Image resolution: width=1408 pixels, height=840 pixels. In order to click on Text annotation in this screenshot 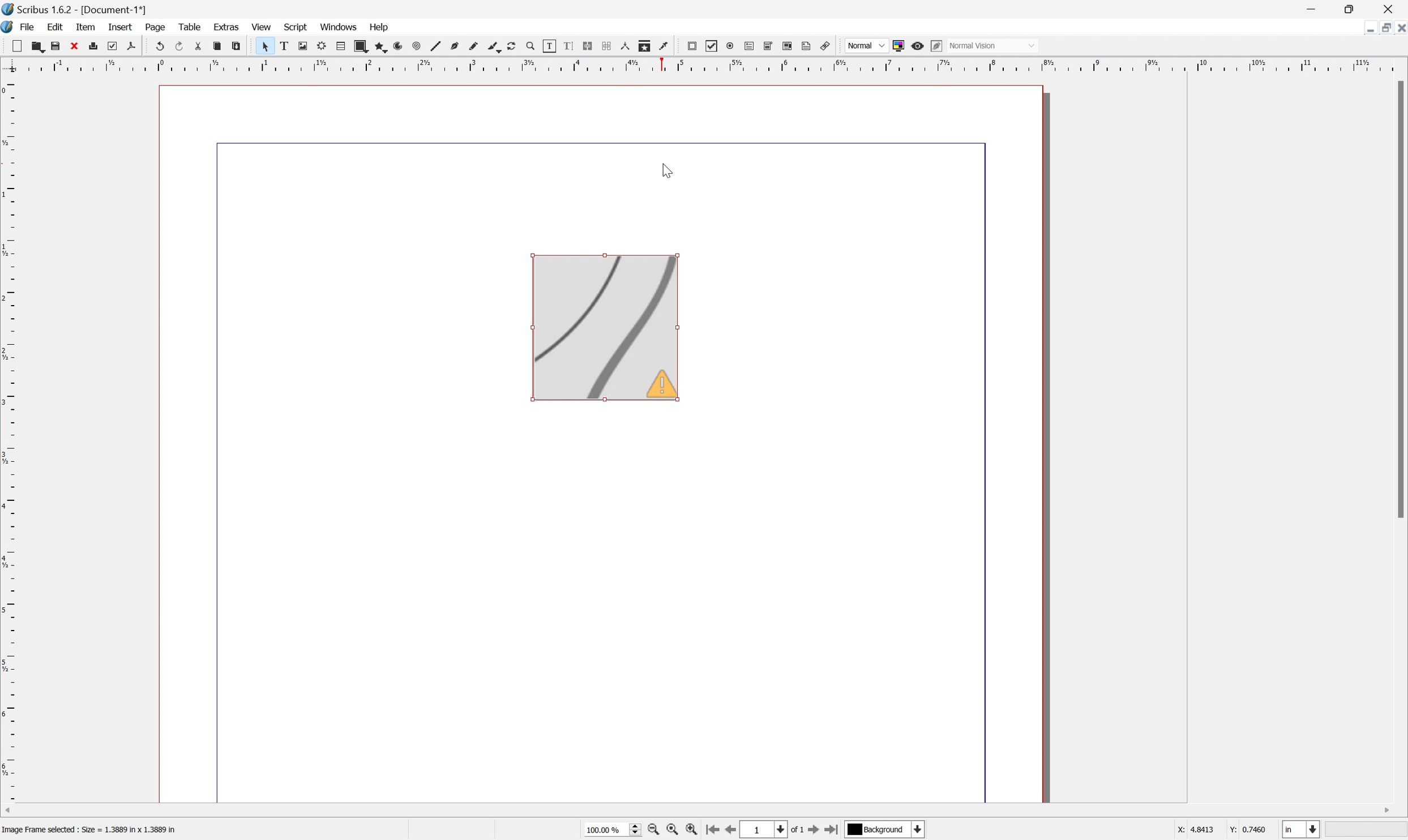, I will do `click(807, 46)`.